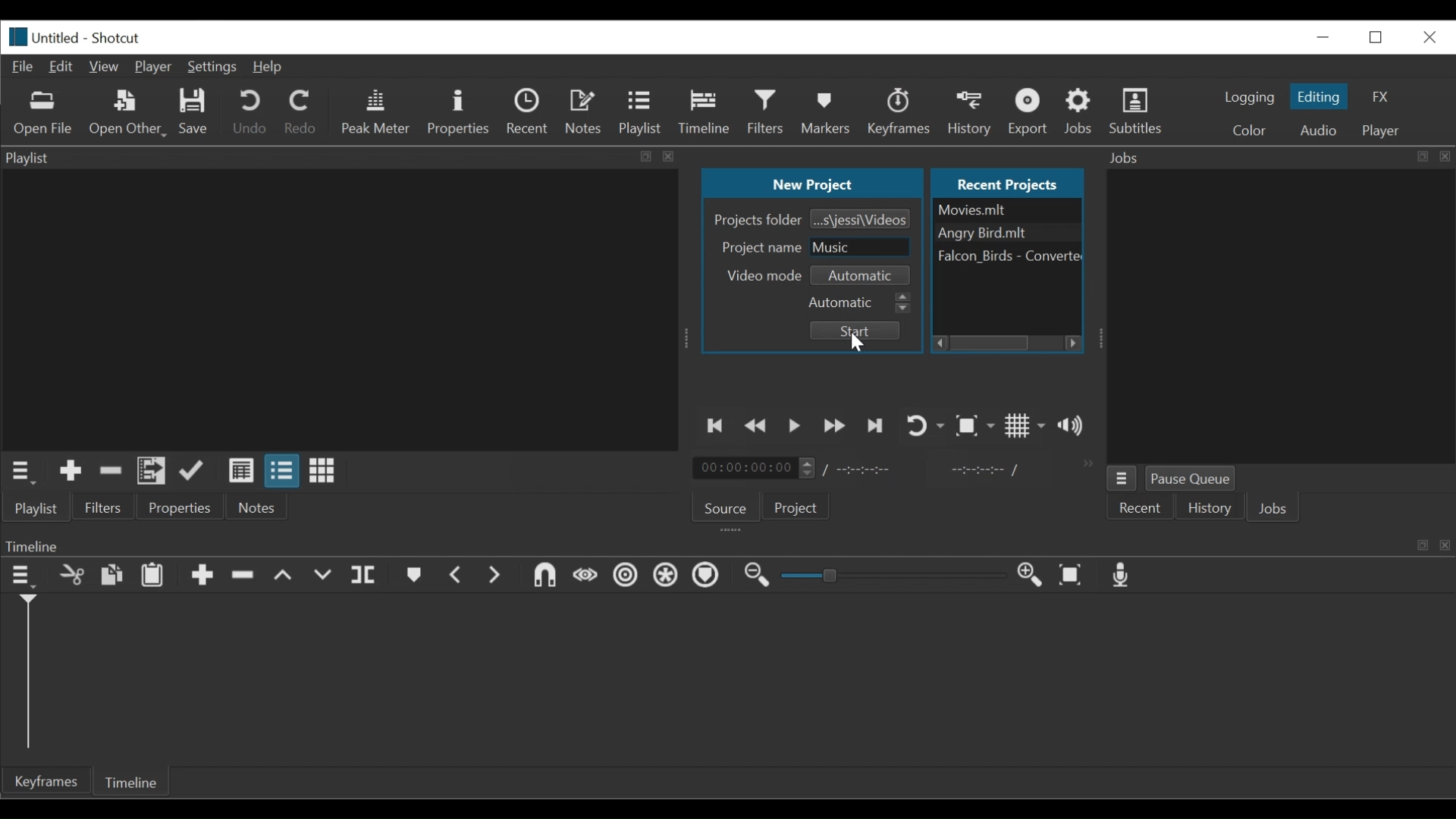 The height and width of the screenshot is (819, 1456). Describe the element at coordinates (103, 67) in the screenshot. I see `View` at that location.